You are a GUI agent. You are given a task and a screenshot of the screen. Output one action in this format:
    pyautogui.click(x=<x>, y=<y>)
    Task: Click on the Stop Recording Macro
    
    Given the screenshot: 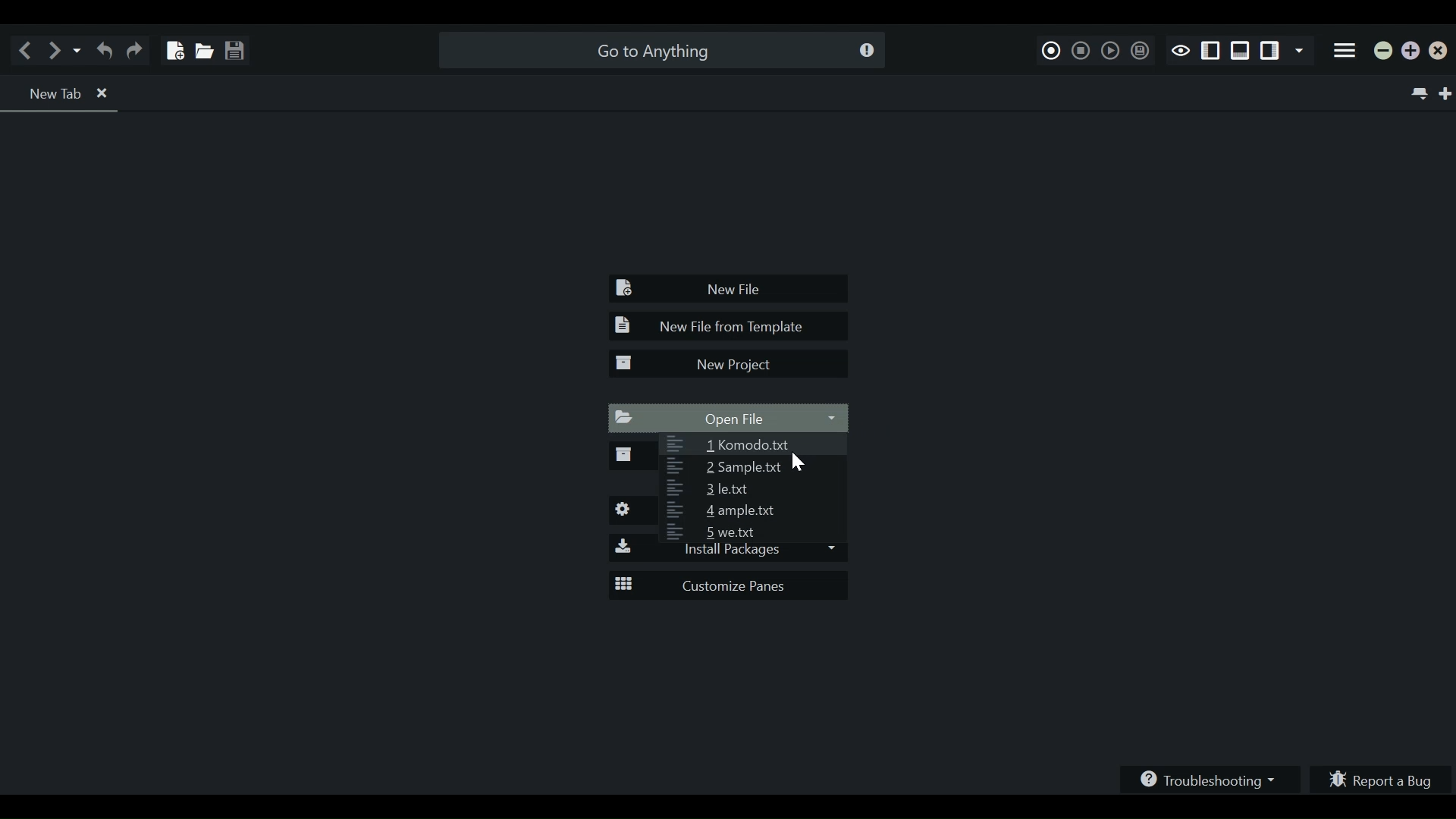 What is the action you would take?
    pyautogui.click(x=1081, y=49)
    